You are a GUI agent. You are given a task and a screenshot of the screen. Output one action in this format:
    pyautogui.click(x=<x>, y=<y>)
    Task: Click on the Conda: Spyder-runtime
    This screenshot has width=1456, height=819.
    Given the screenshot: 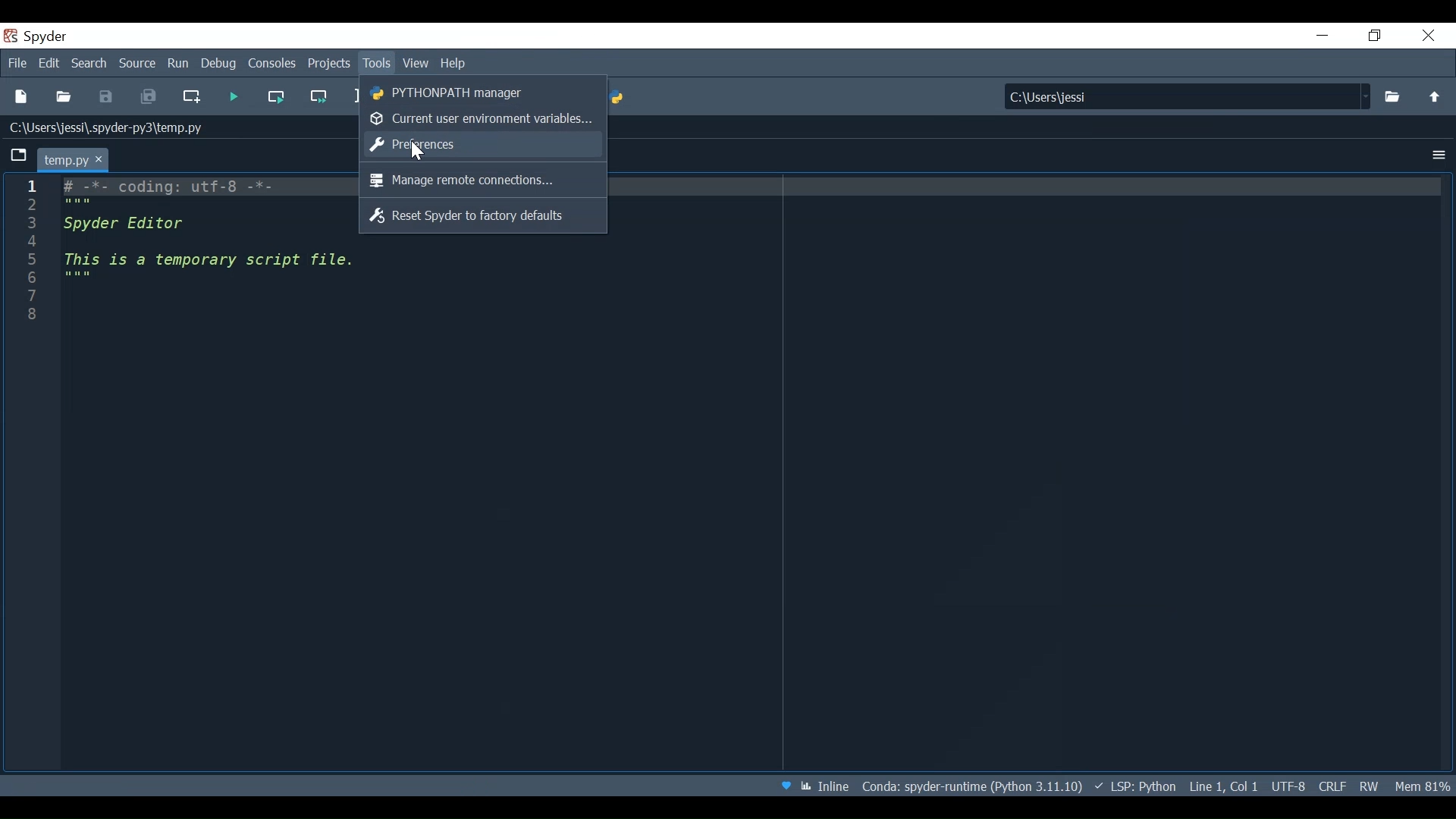 What is the action you would take?
    pyautogui.click(x=971, y=786)
    